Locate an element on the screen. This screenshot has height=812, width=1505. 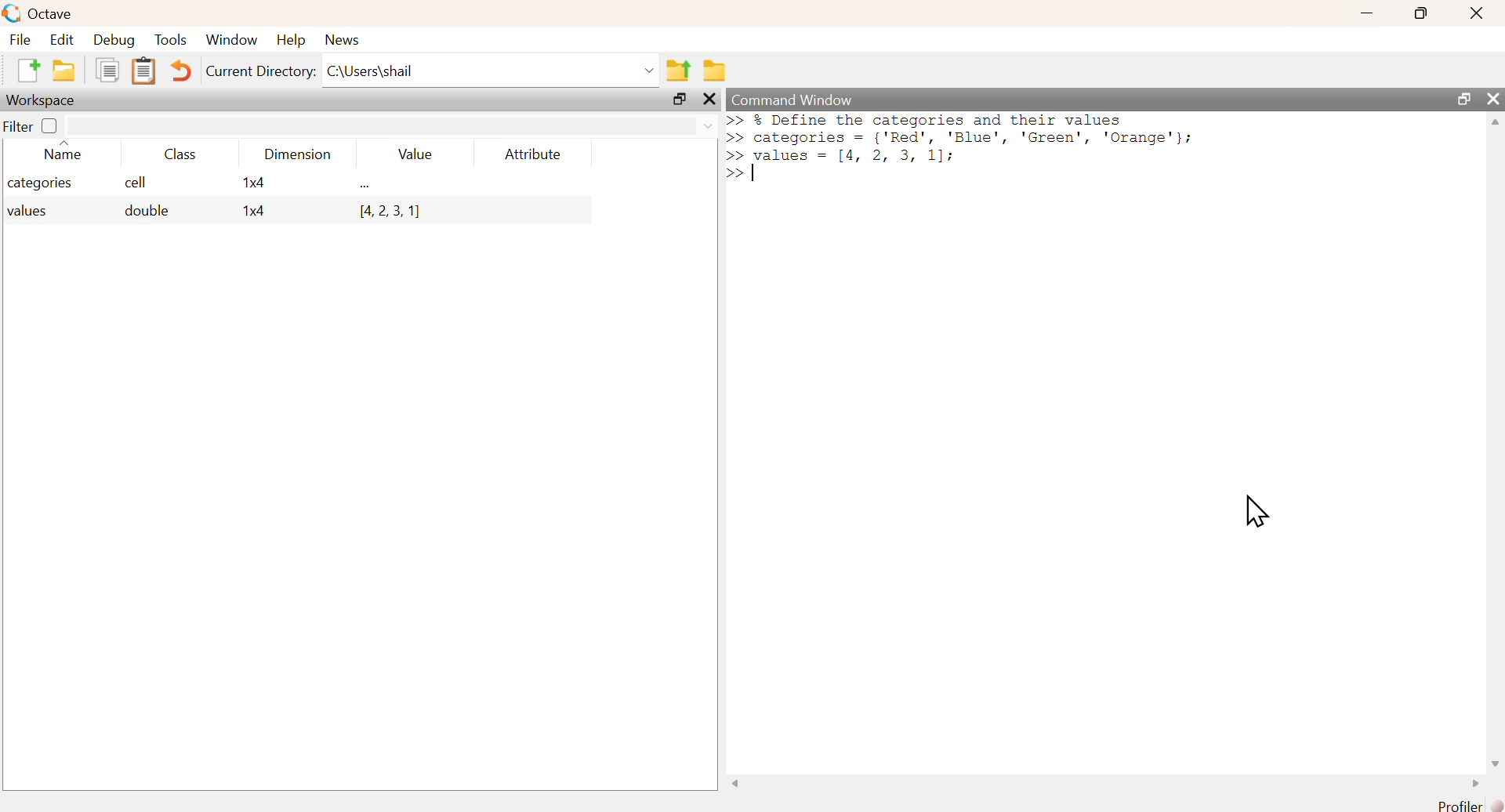
Profiler is located at coordinates (1465, 804).